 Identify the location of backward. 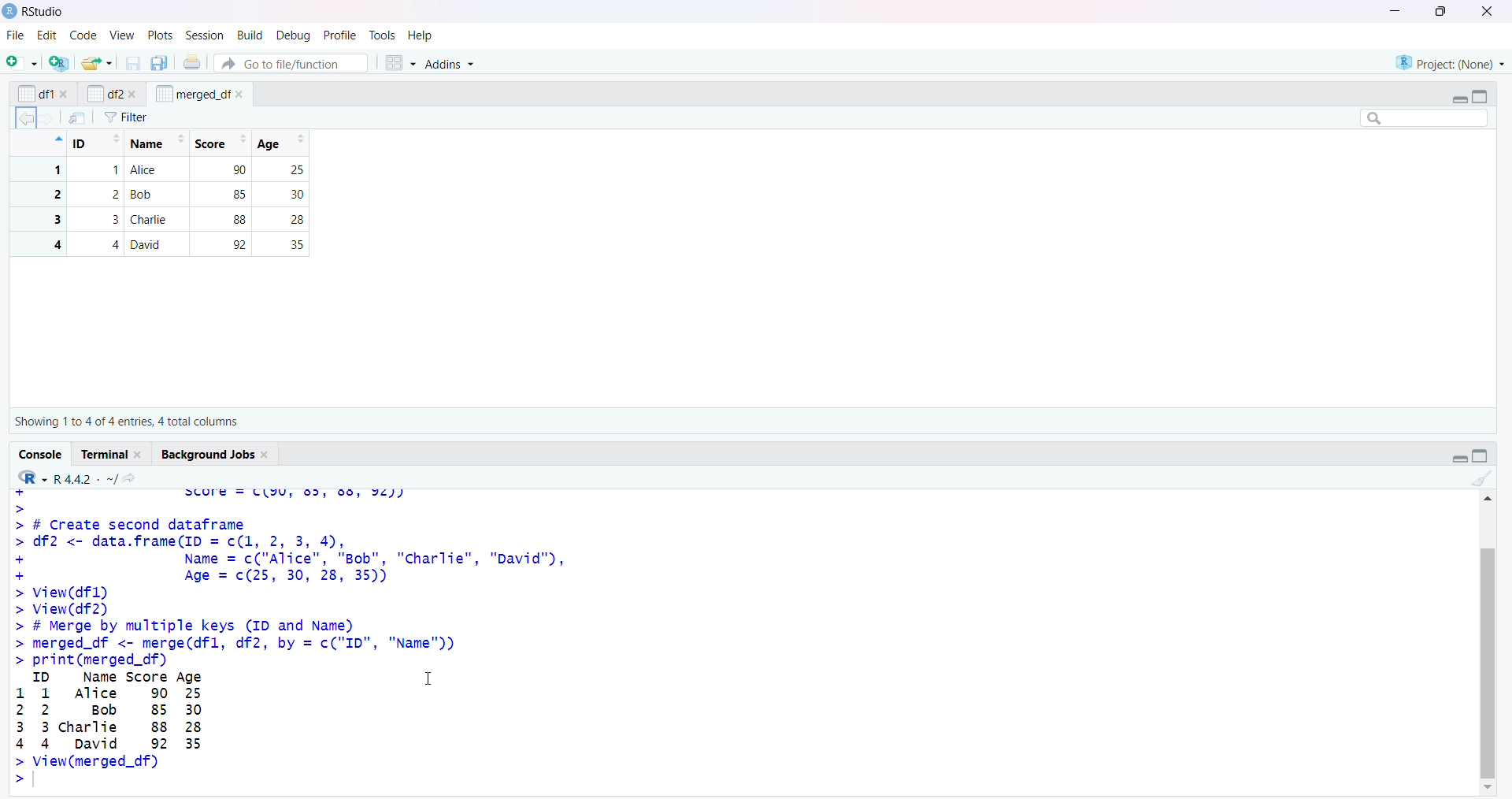
(25, 118).